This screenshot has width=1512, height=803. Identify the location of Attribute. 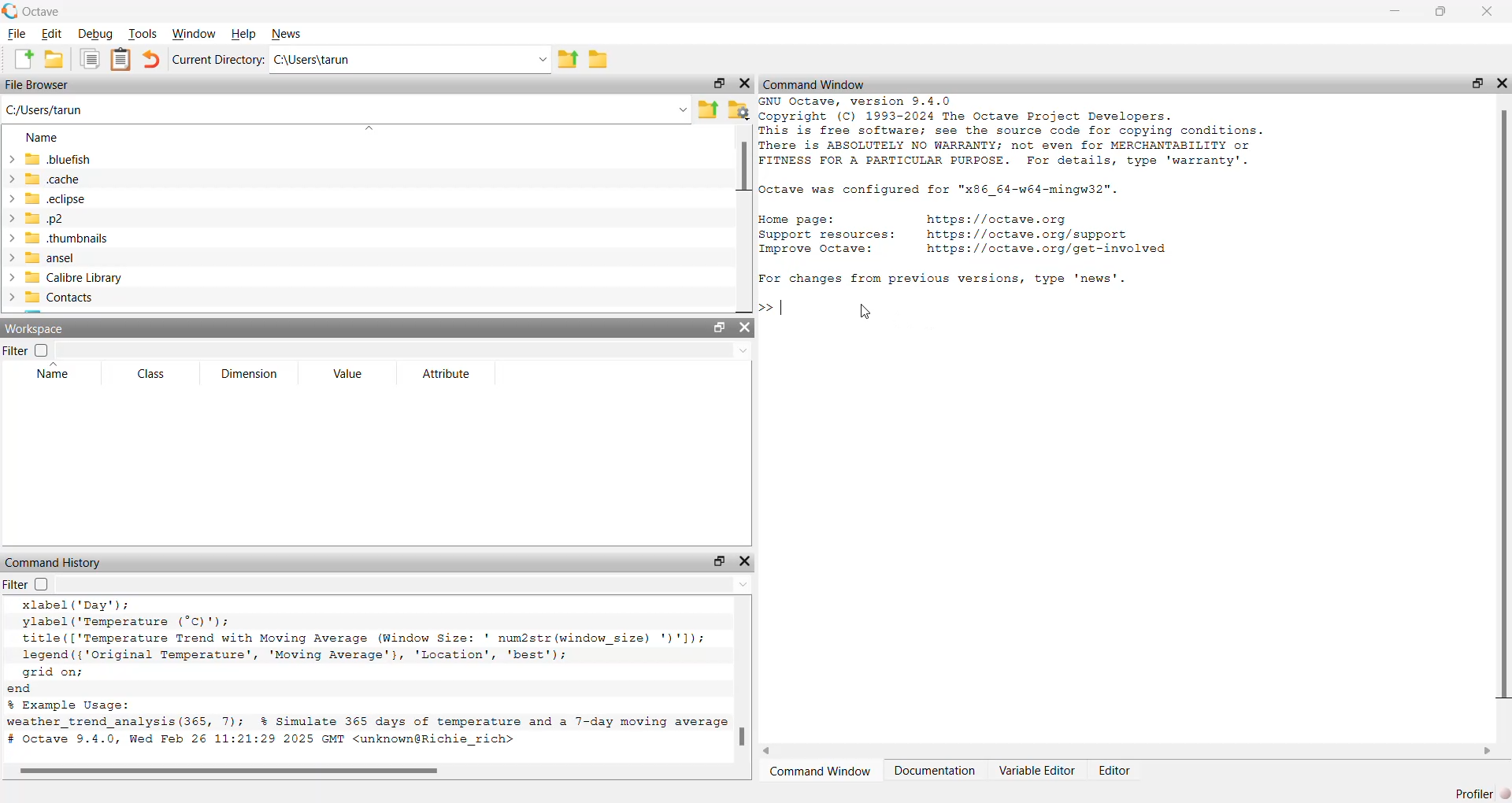
(454, 375).